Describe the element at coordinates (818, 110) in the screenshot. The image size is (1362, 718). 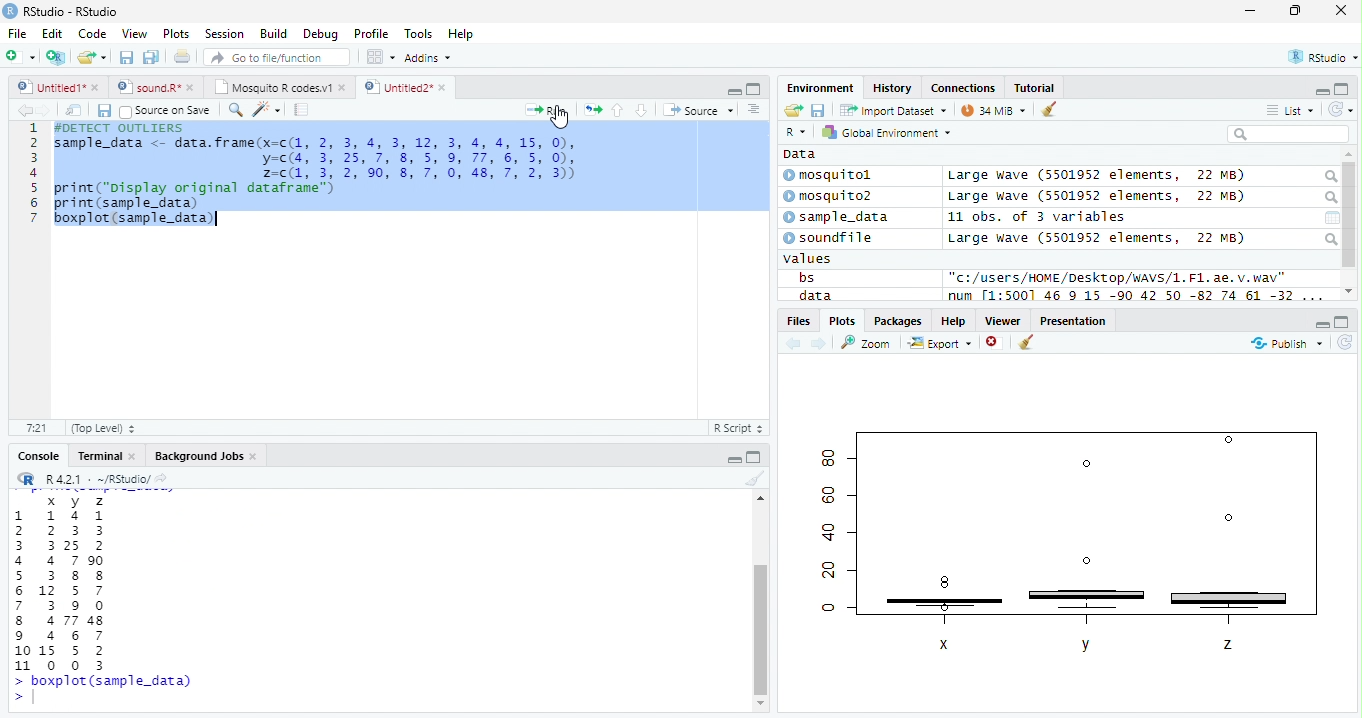
I see `Save` at that location.